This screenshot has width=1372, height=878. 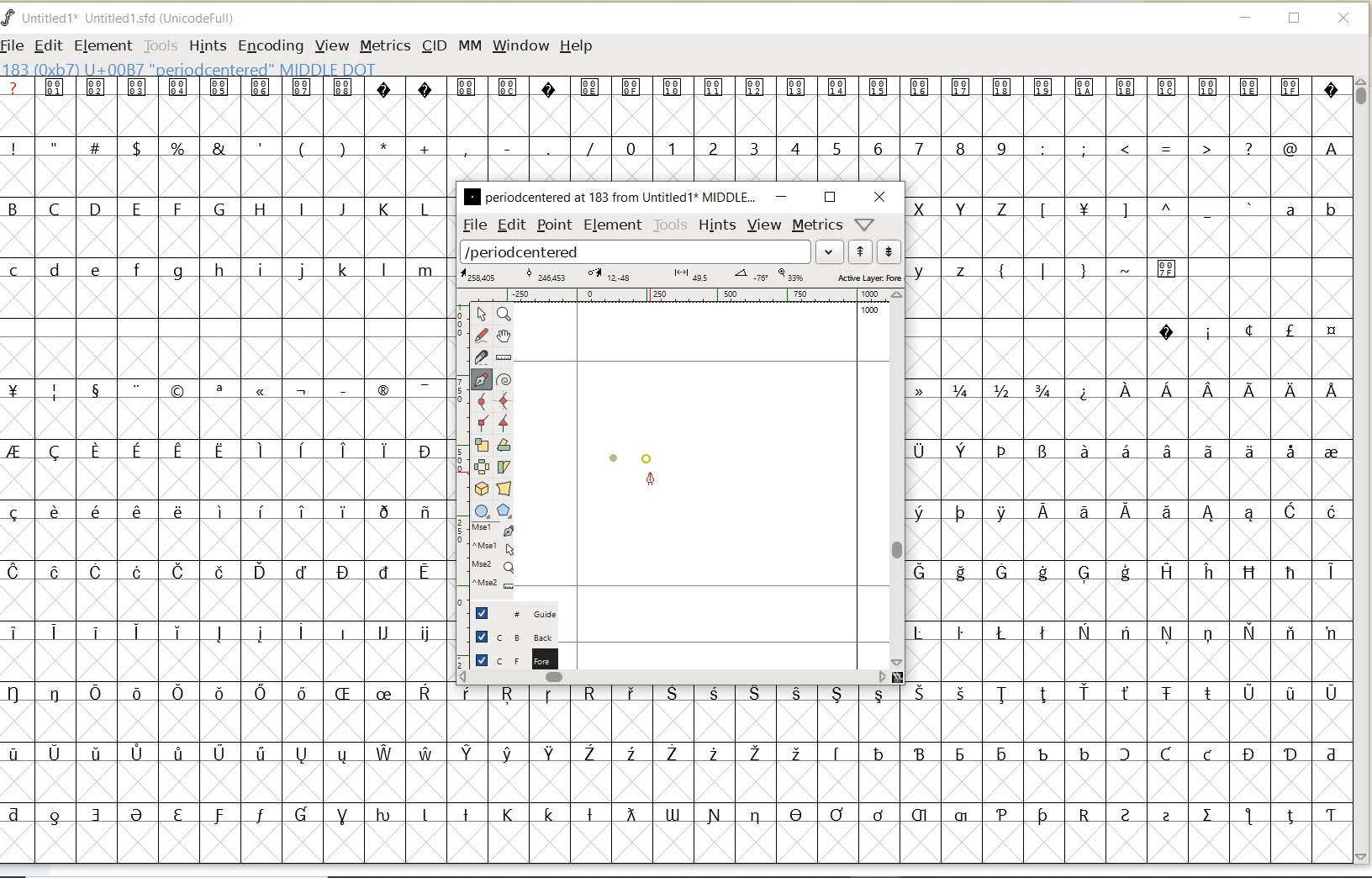 What do you see at coordinates (1364, 470) in the screenshot?
I see `SCROLLBAR` at bounding box center [1364, 470].